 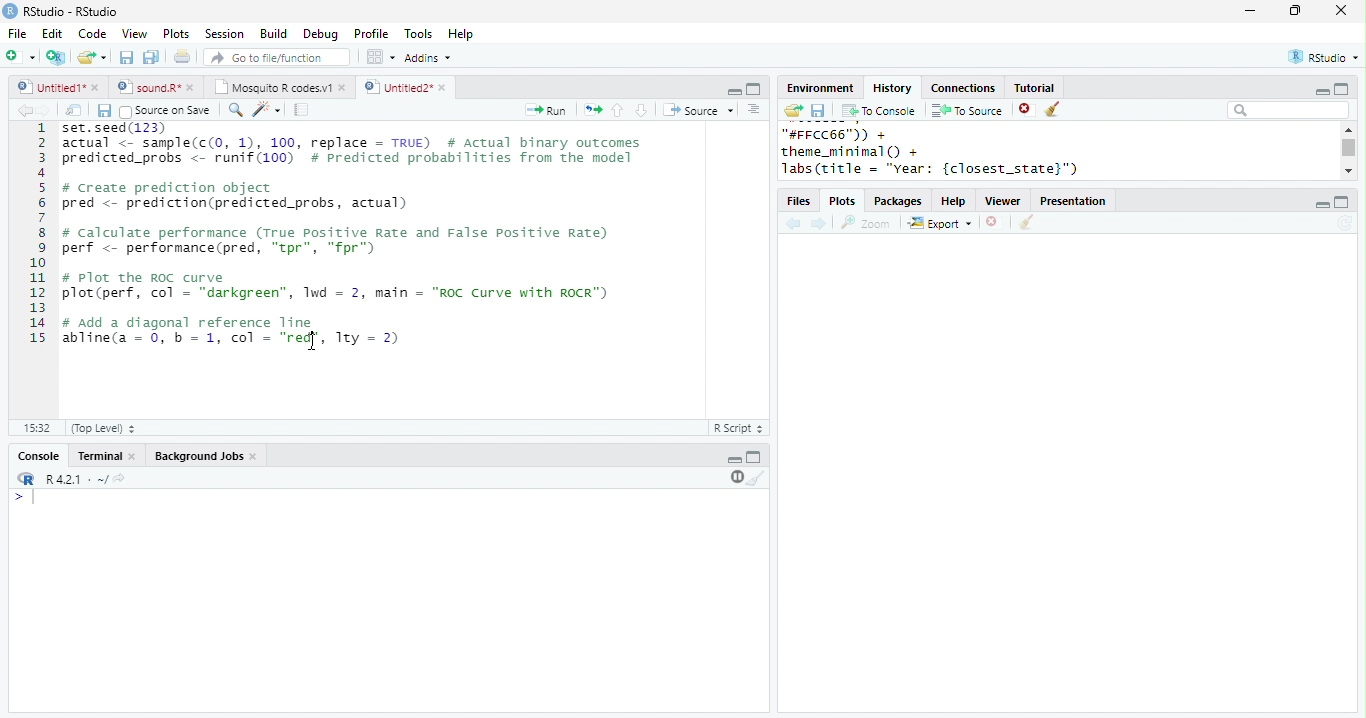 What do you see at coordinates (163, 111) in the screenshot?
I see `Source on Save` at bounding box center [163, 111].